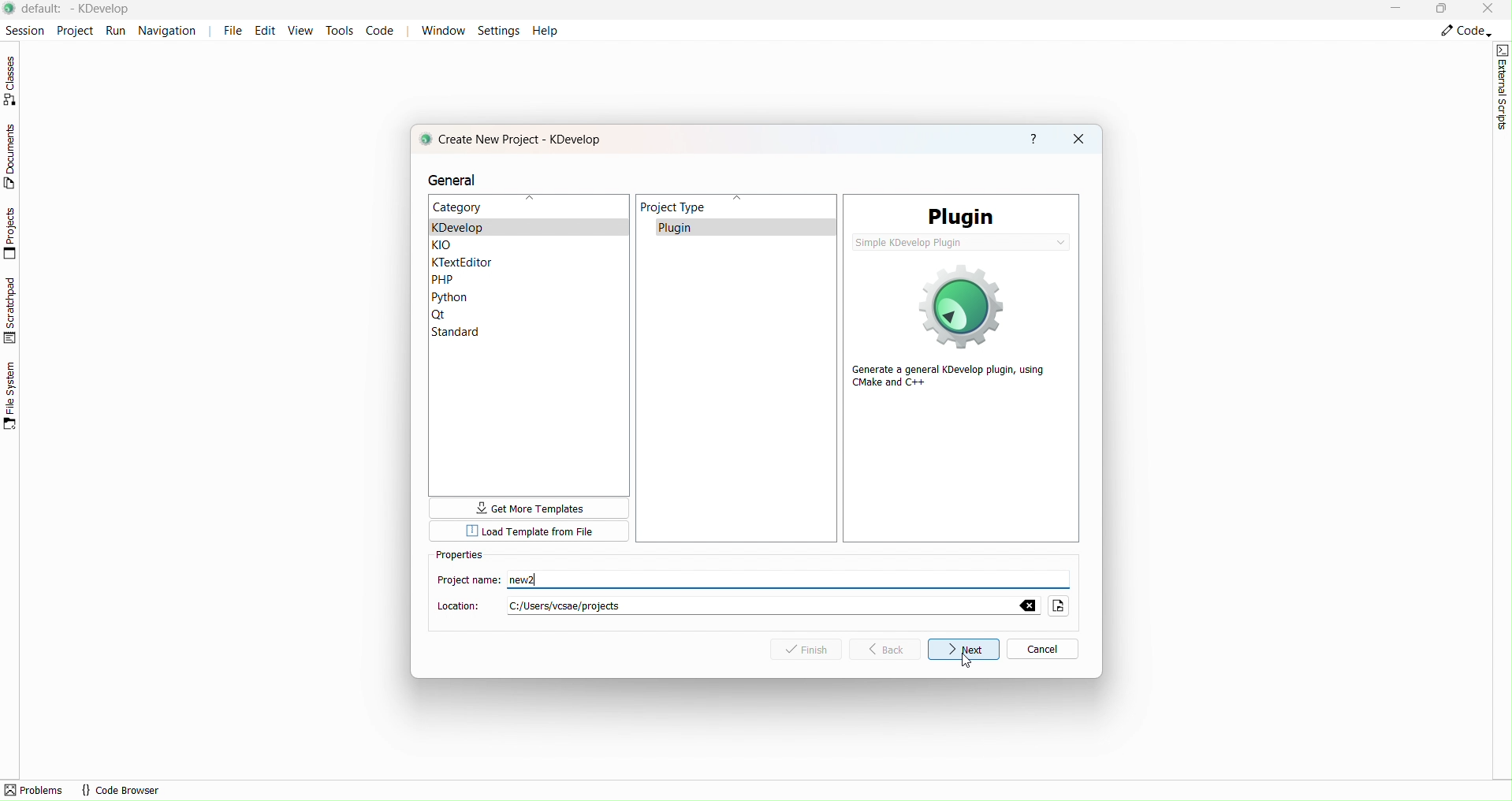  I want to click on Project type, so click(736, 352).